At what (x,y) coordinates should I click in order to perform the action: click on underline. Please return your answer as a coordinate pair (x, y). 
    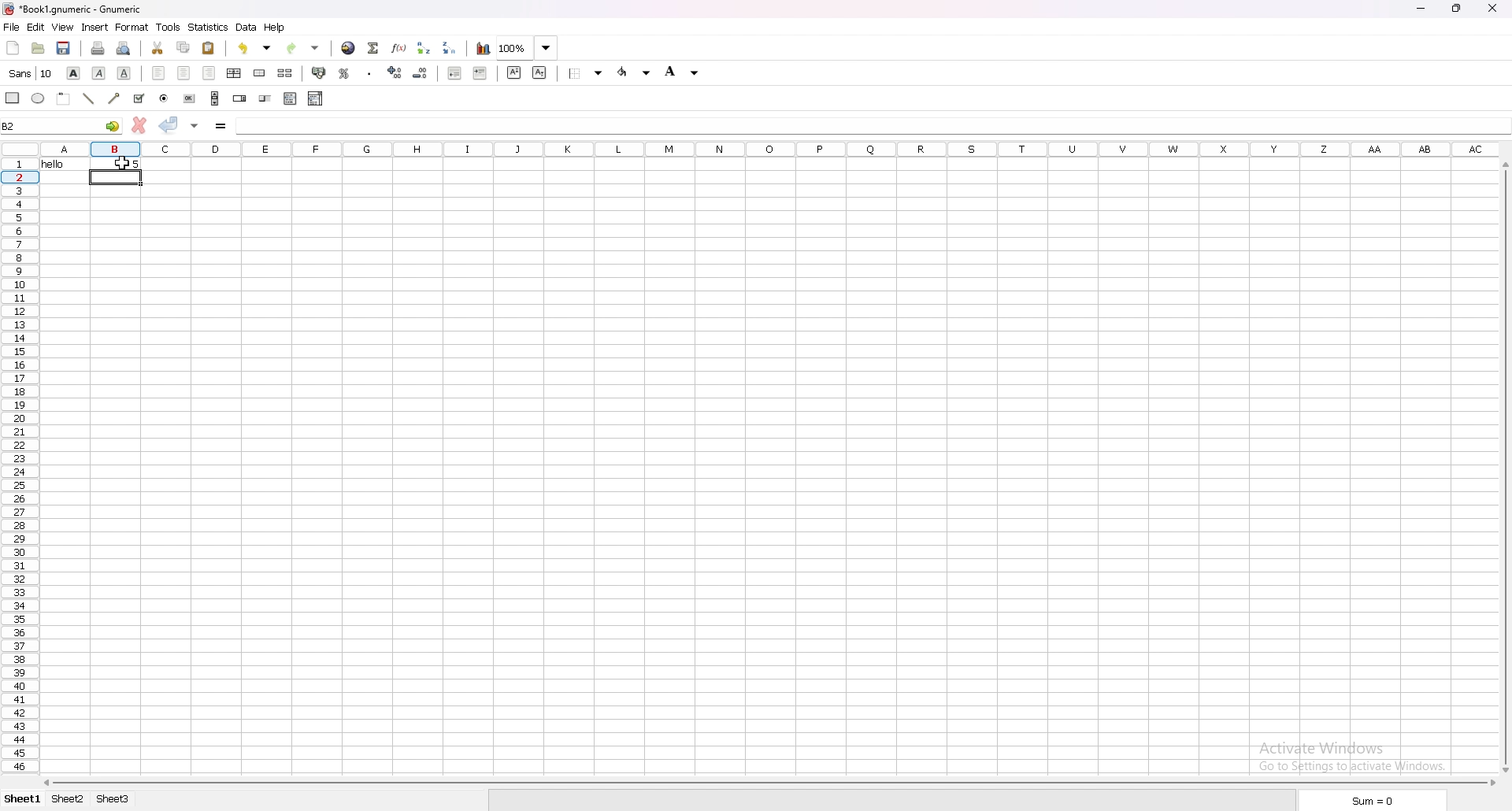
    Looking at the image, I should click on (125, 74).